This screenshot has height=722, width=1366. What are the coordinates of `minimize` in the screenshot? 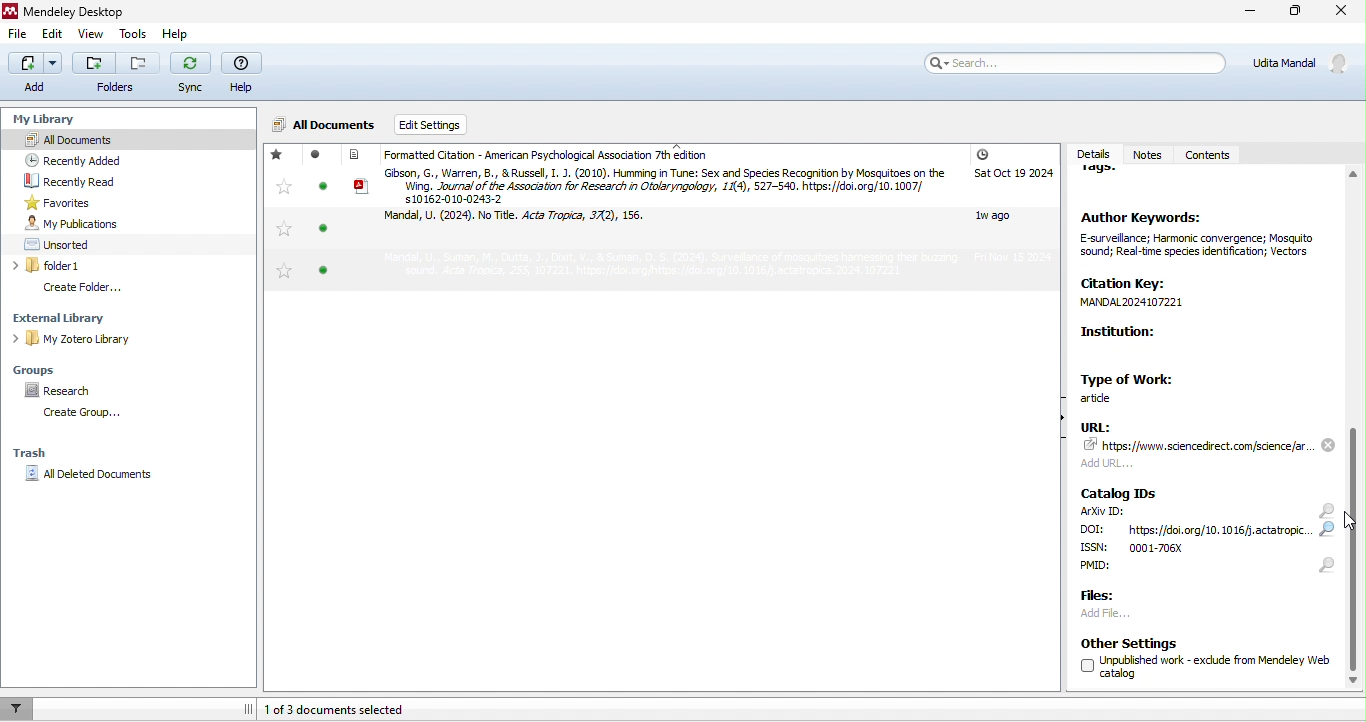 It's located at (1247, 13).